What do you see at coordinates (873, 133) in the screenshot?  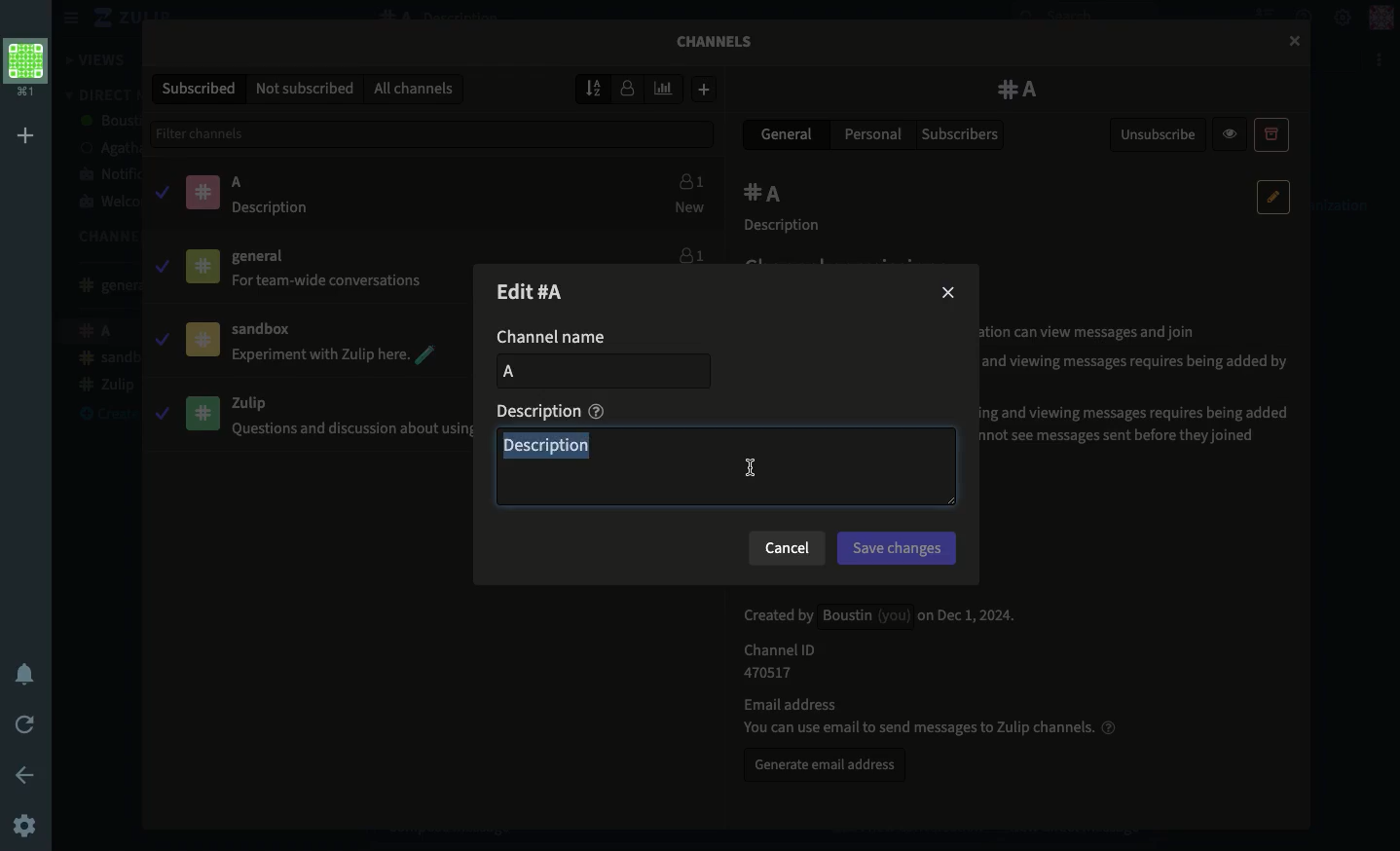 I see `Personal` at bounding box center [873, 133].